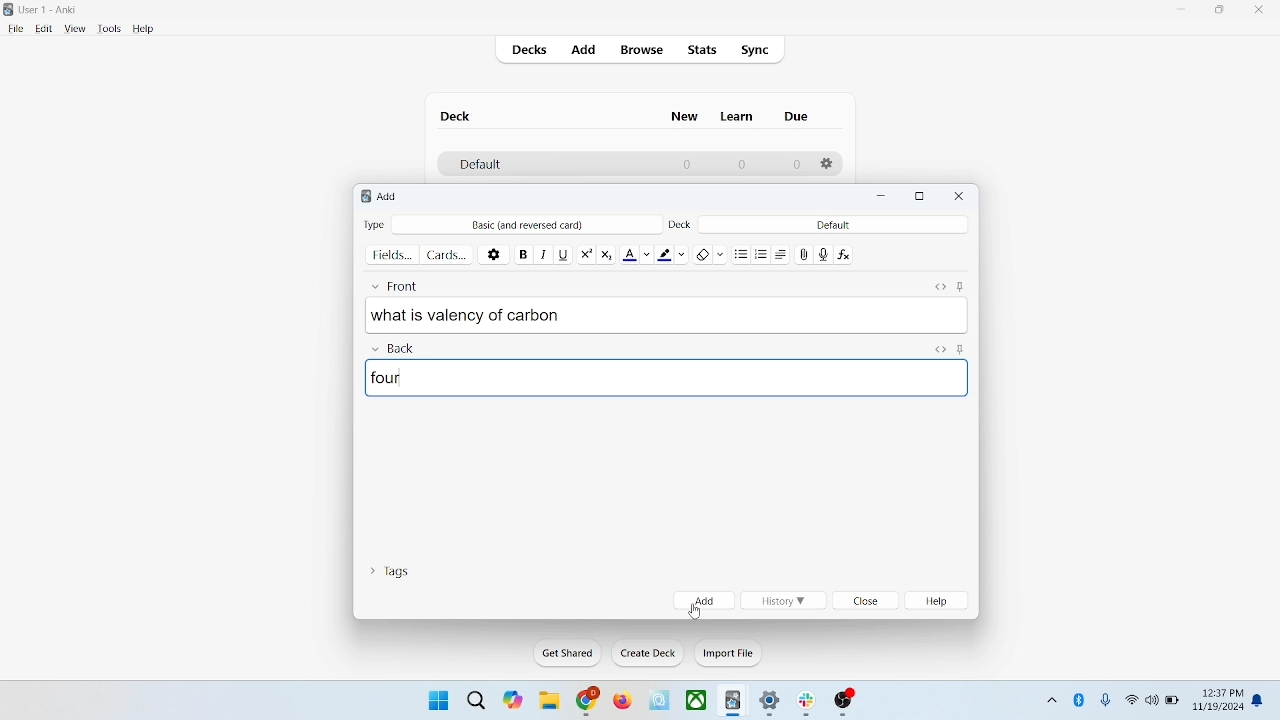 The width and height of the screenshot is (1280, 720). I want to click on italics, so click(541, 253).